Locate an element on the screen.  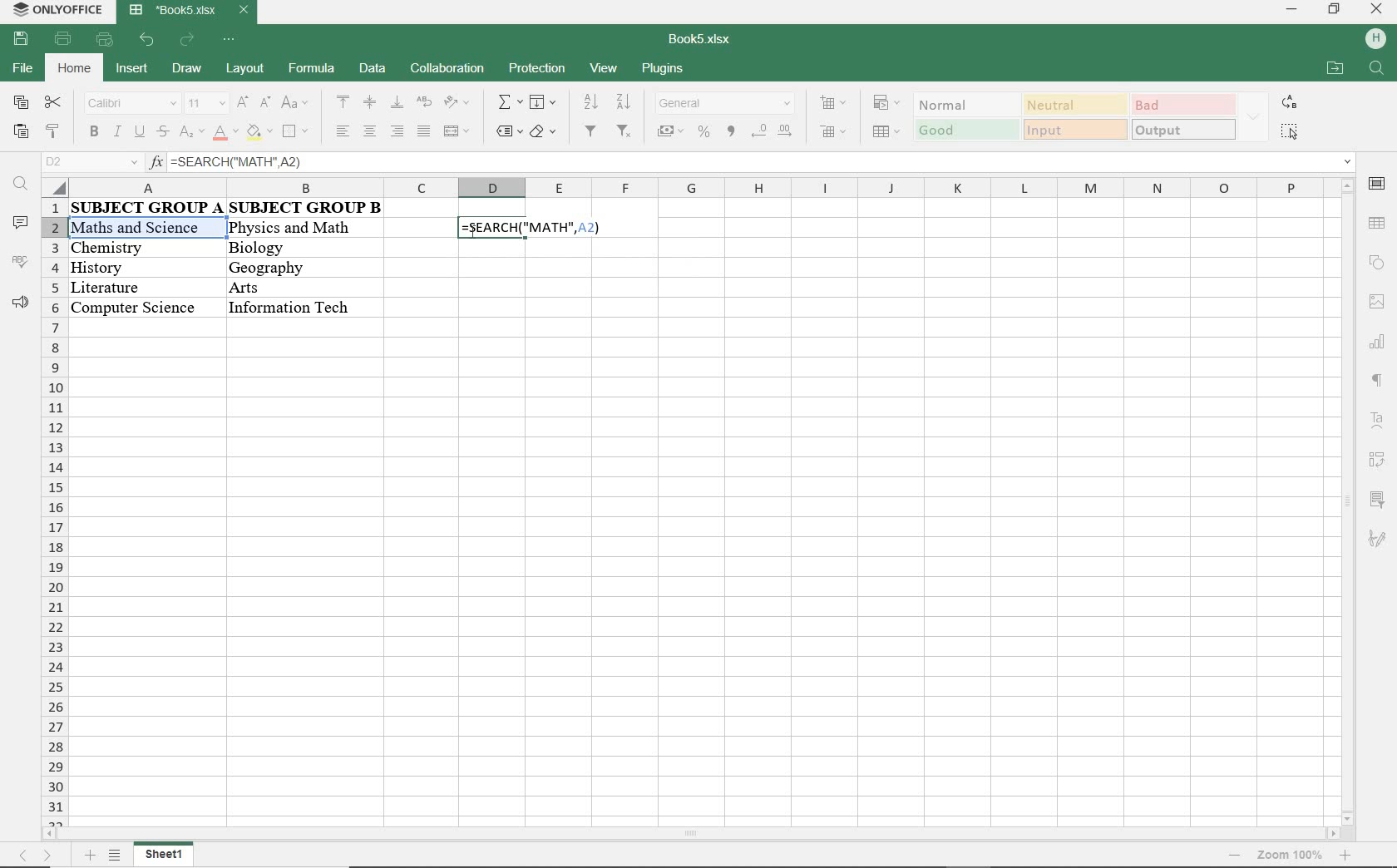
data is located at coordinates (230, 208).